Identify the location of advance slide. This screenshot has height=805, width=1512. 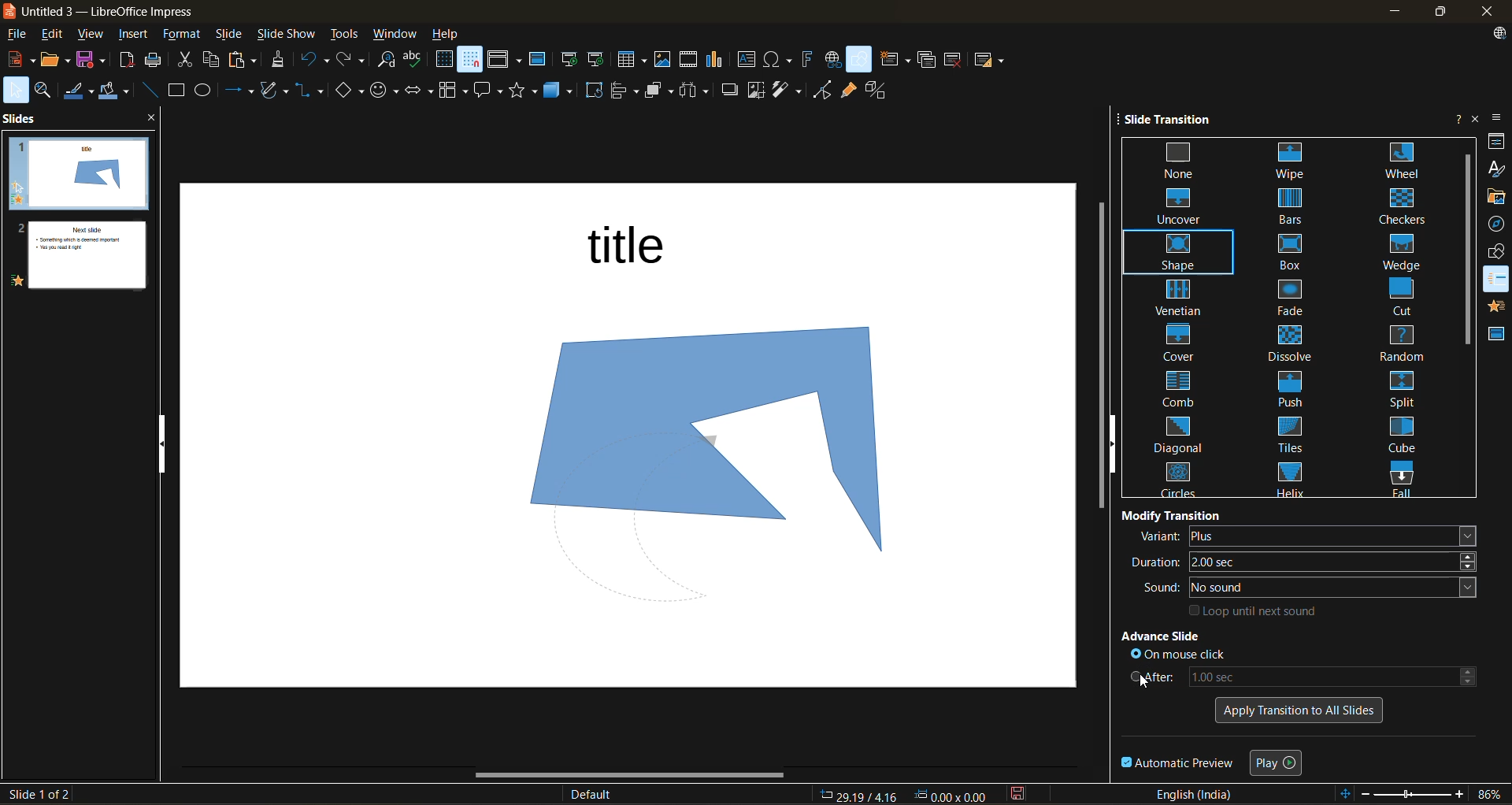
(1188, 637).